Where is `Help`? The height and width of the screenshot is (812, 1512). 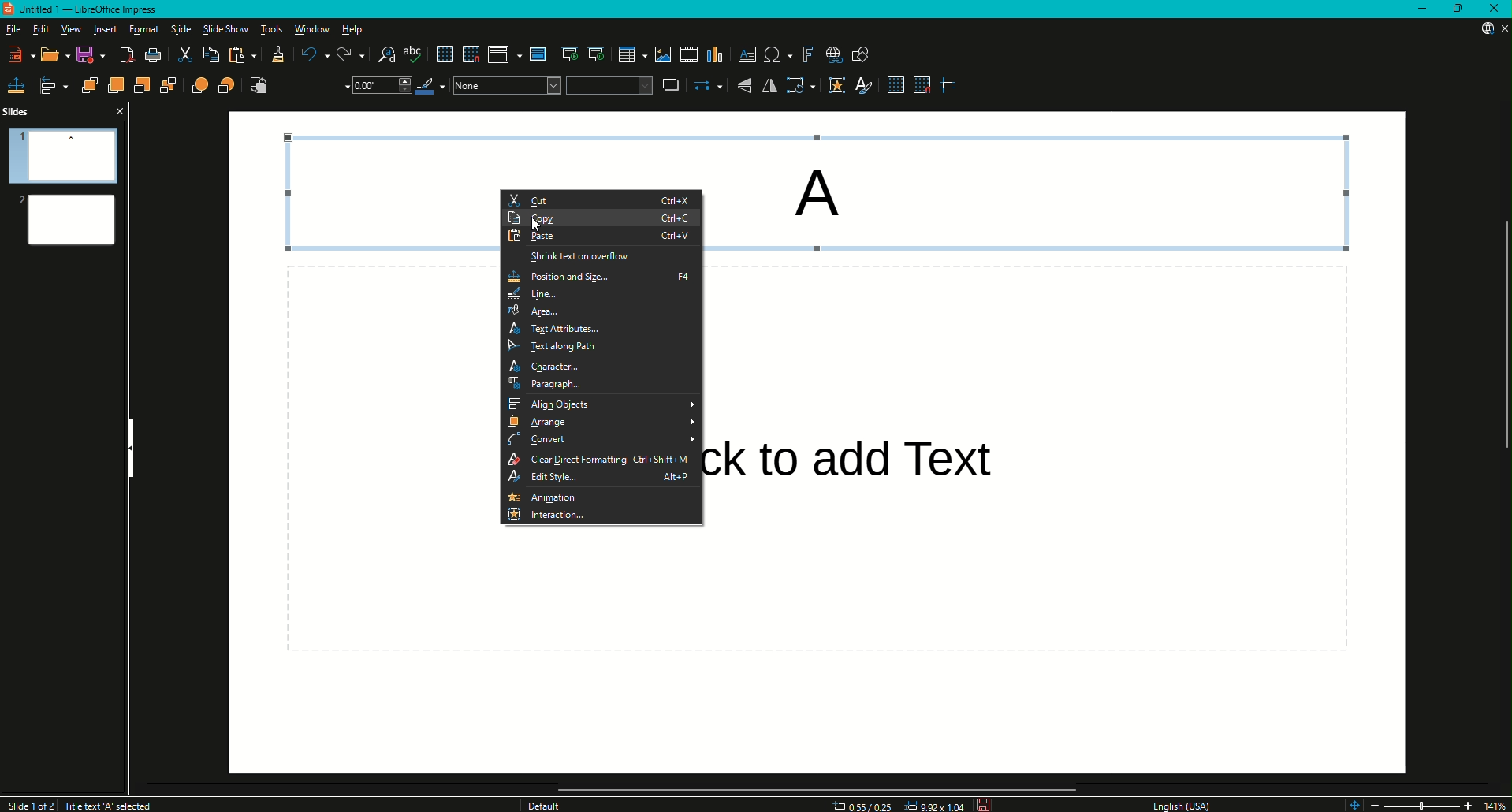
Help is located at coordinates (356, 28).